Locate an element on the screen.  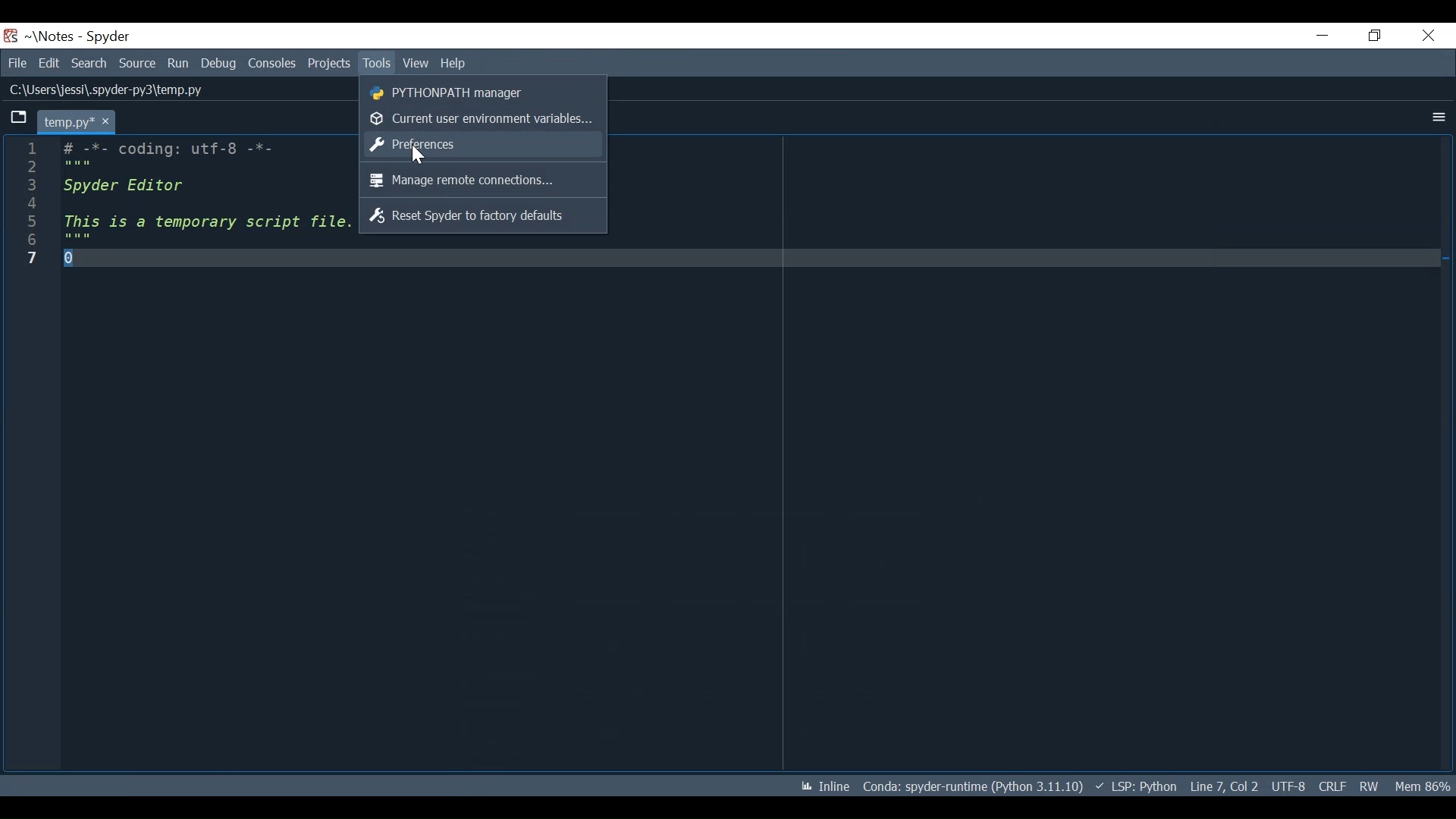
File EQL Status is located at coordinates (1335, 784).